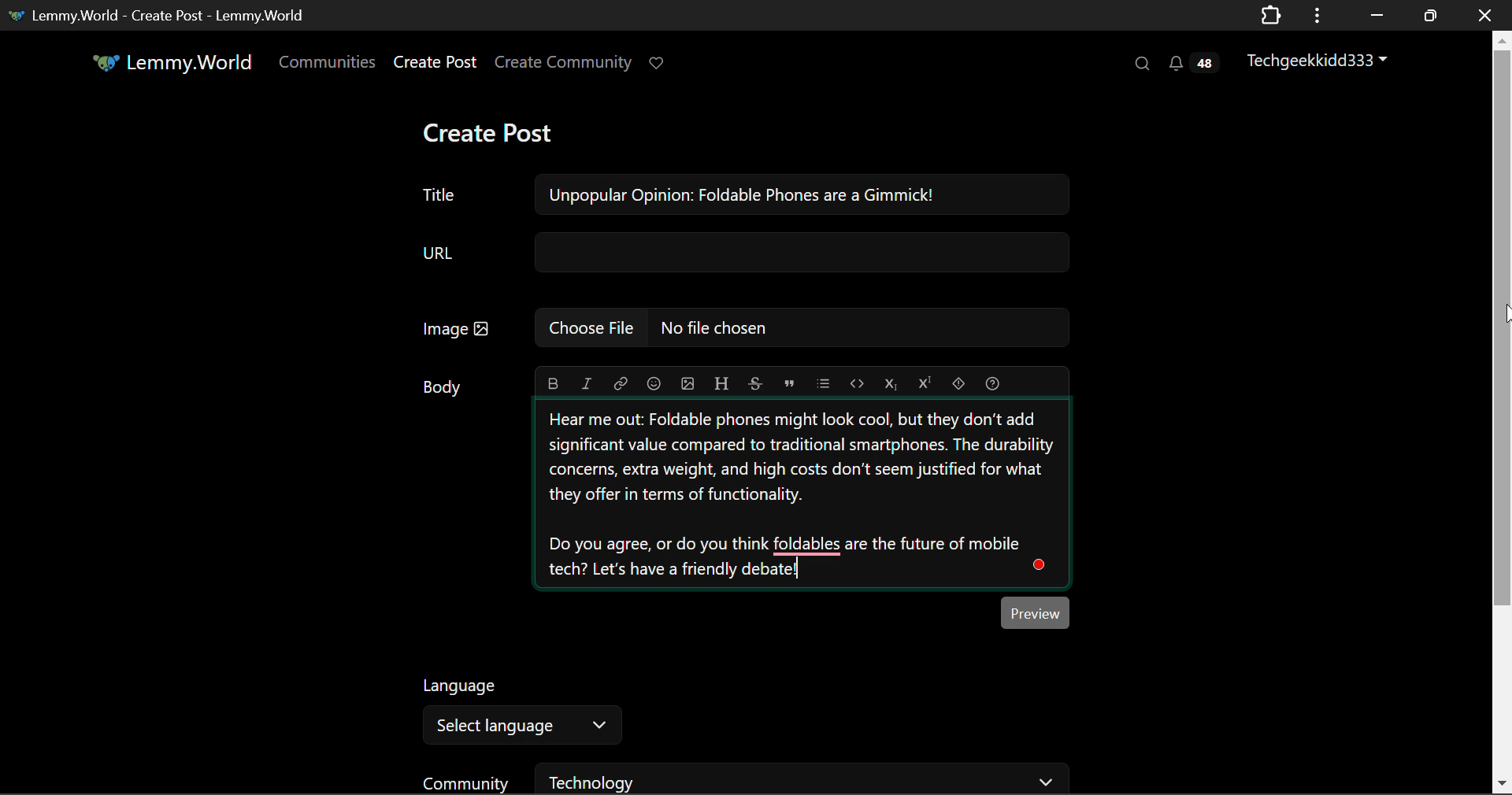 Image resolution: width=1512 pixels, height=795 pixels. What do you see at coordinates (891, 382) in the screenshot?
I see `subscript` at bounding box center [891, 382].